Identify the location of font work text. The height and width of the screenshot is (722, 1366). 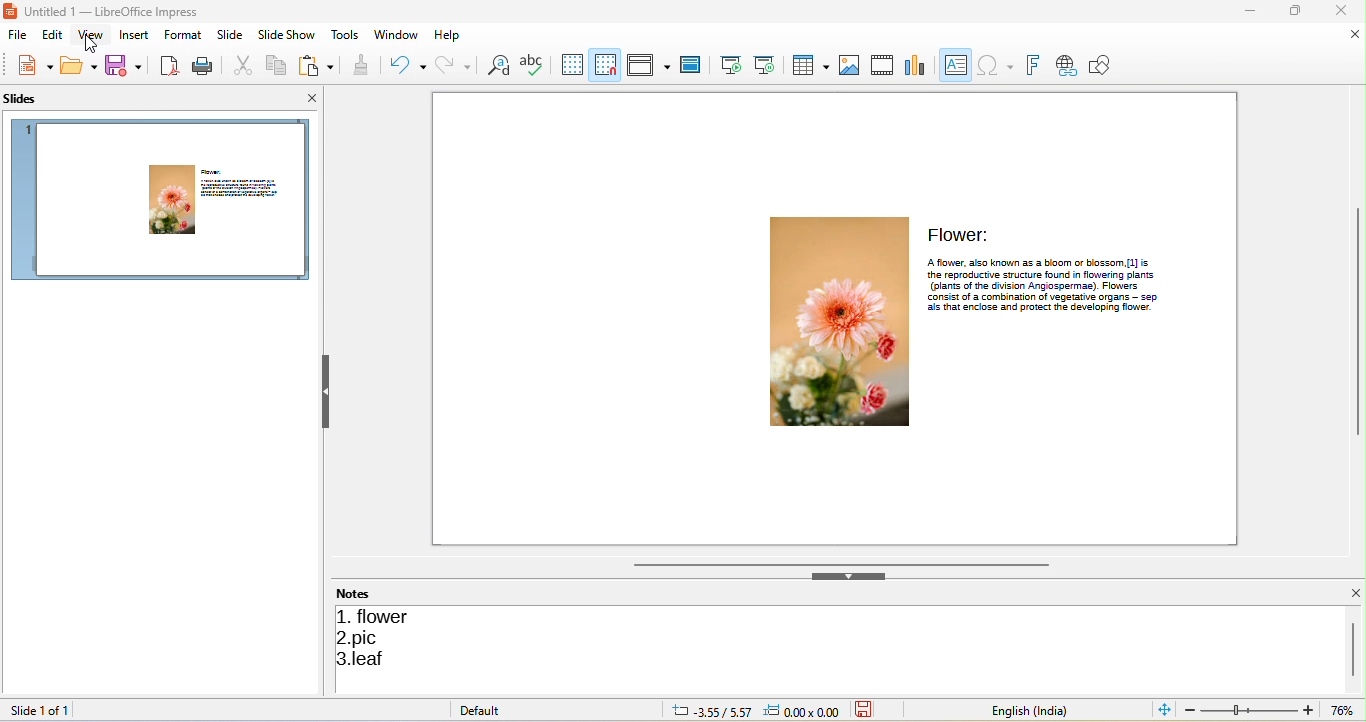
(1032, 63).